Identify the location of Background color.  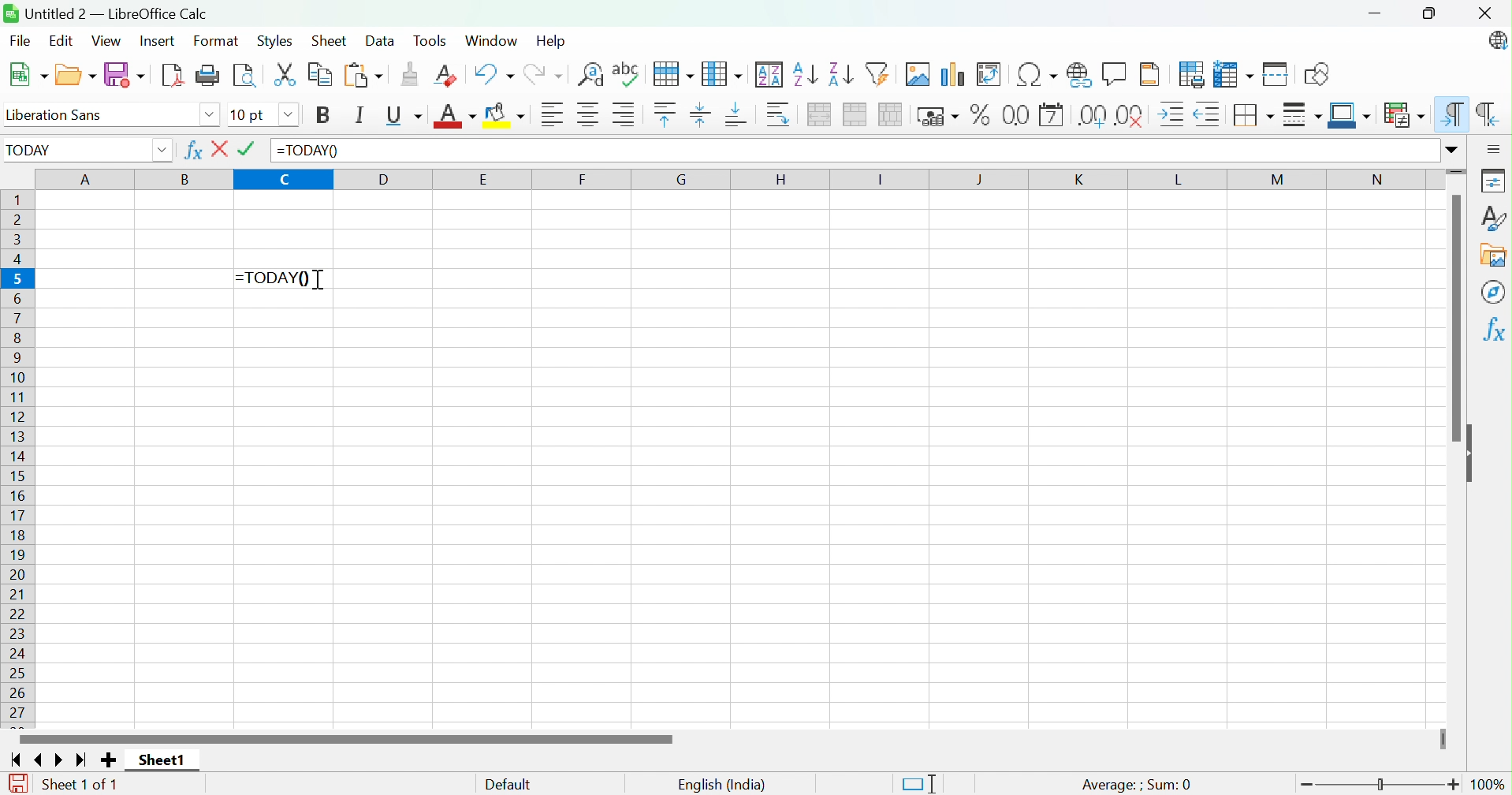
(508, 116).